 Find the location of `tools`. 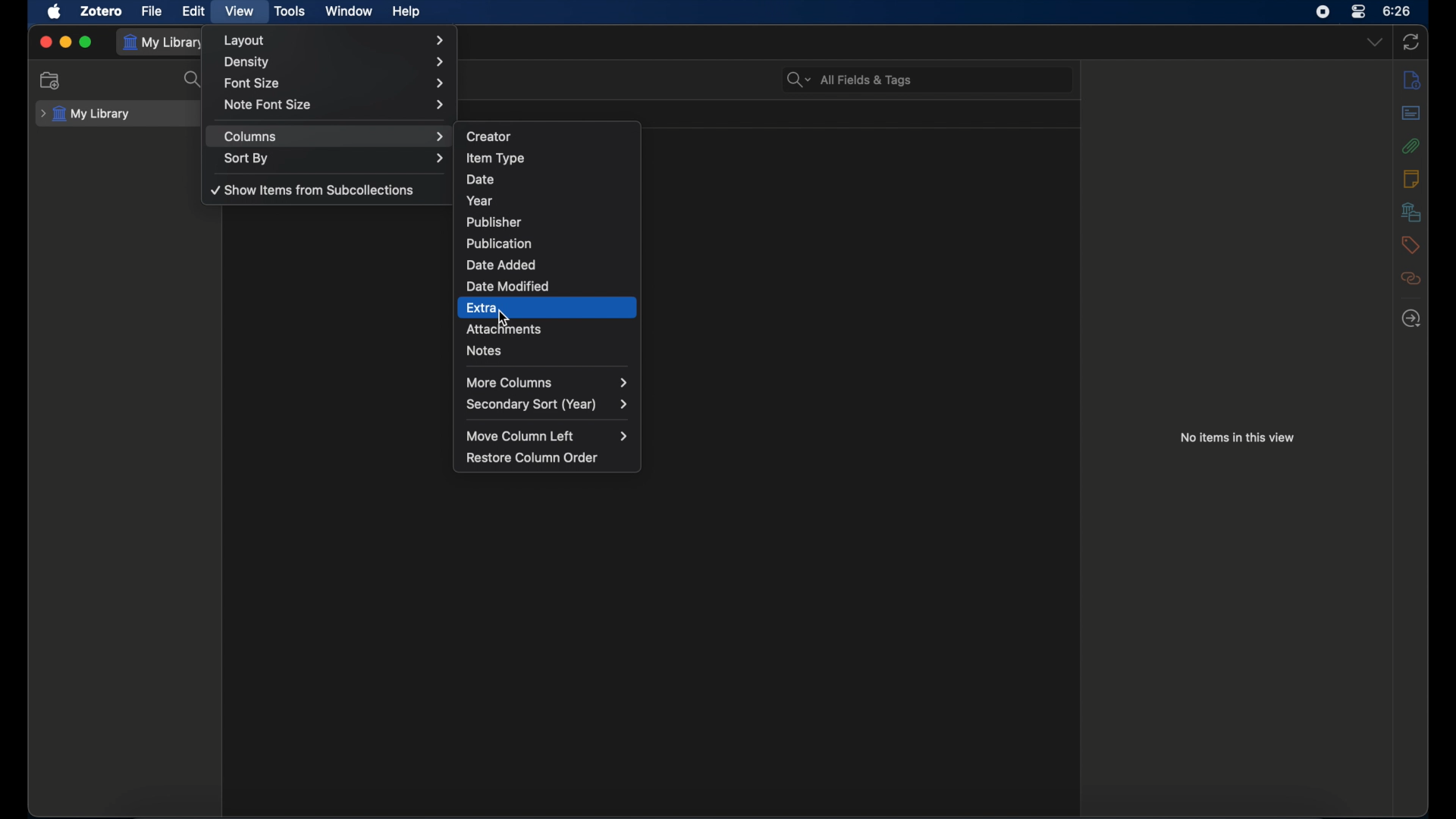

tools is located at coordinates (290, 11).